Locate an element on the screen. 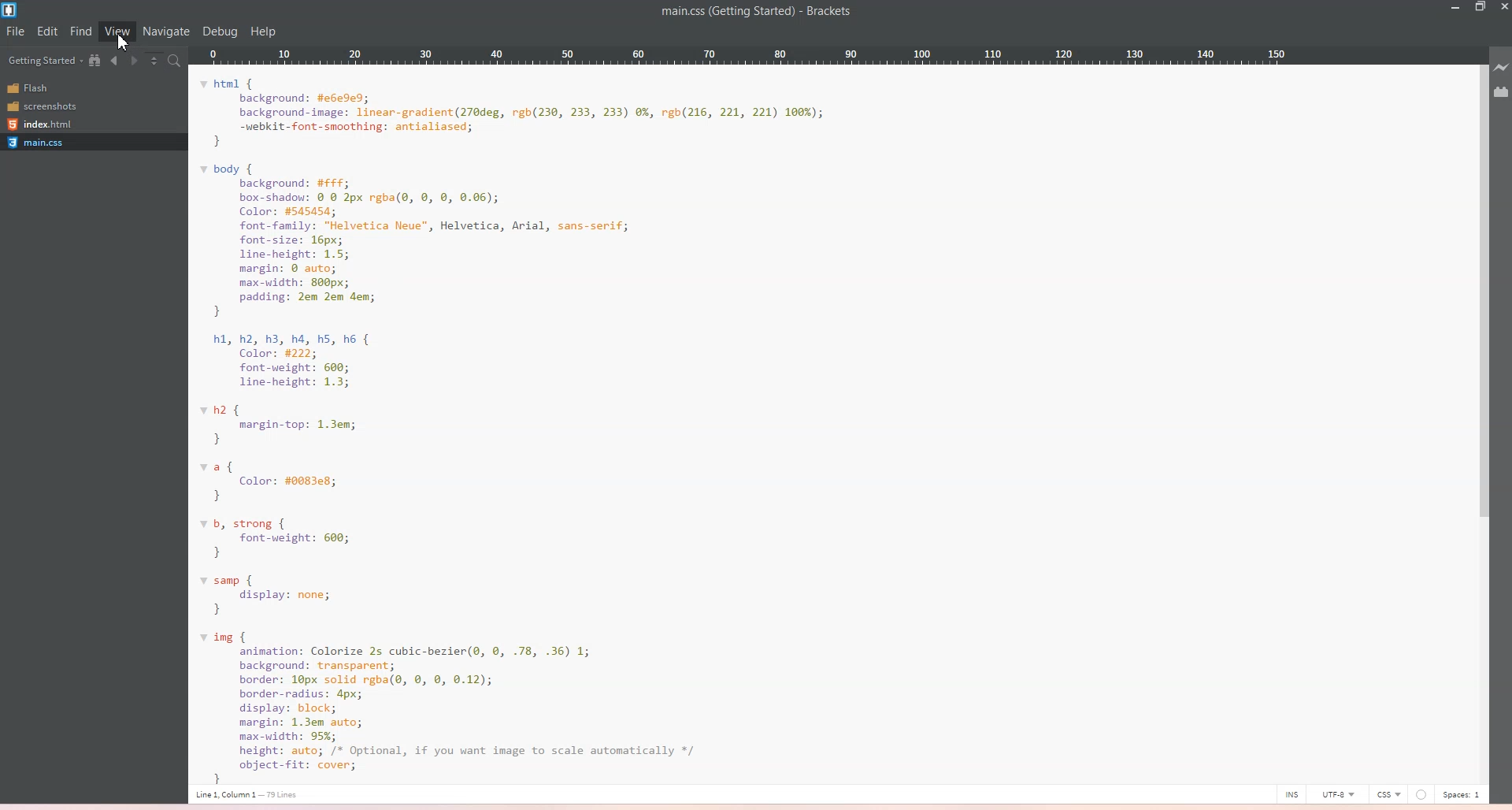 The height and width of the screenshot is (810, 1512). Navigate is located at coordinates (167, 31).